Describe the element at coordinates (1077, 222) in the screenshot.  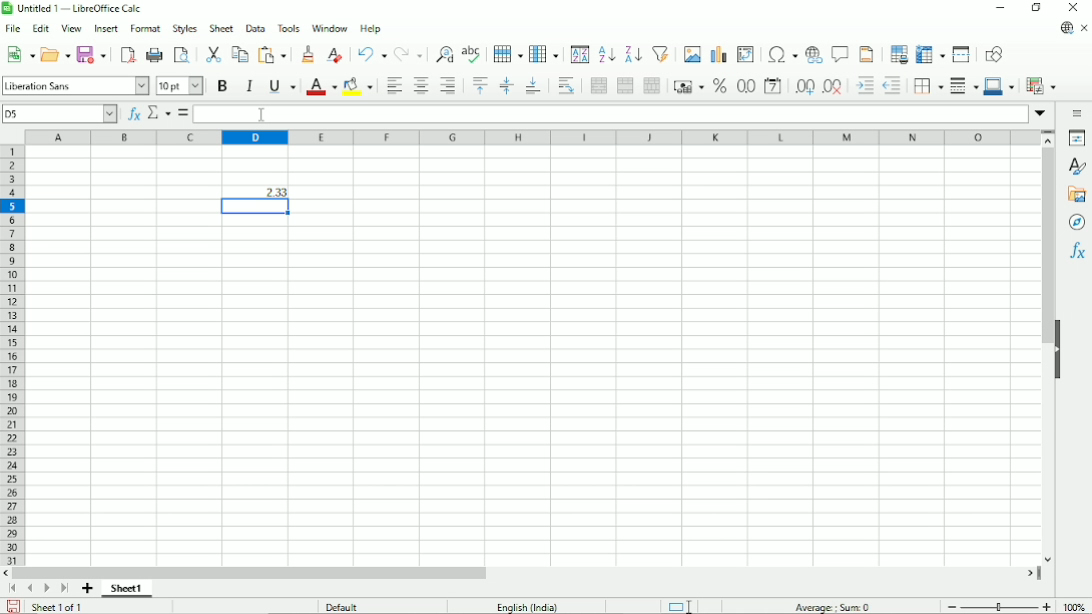
I see `Navigator` at that location.